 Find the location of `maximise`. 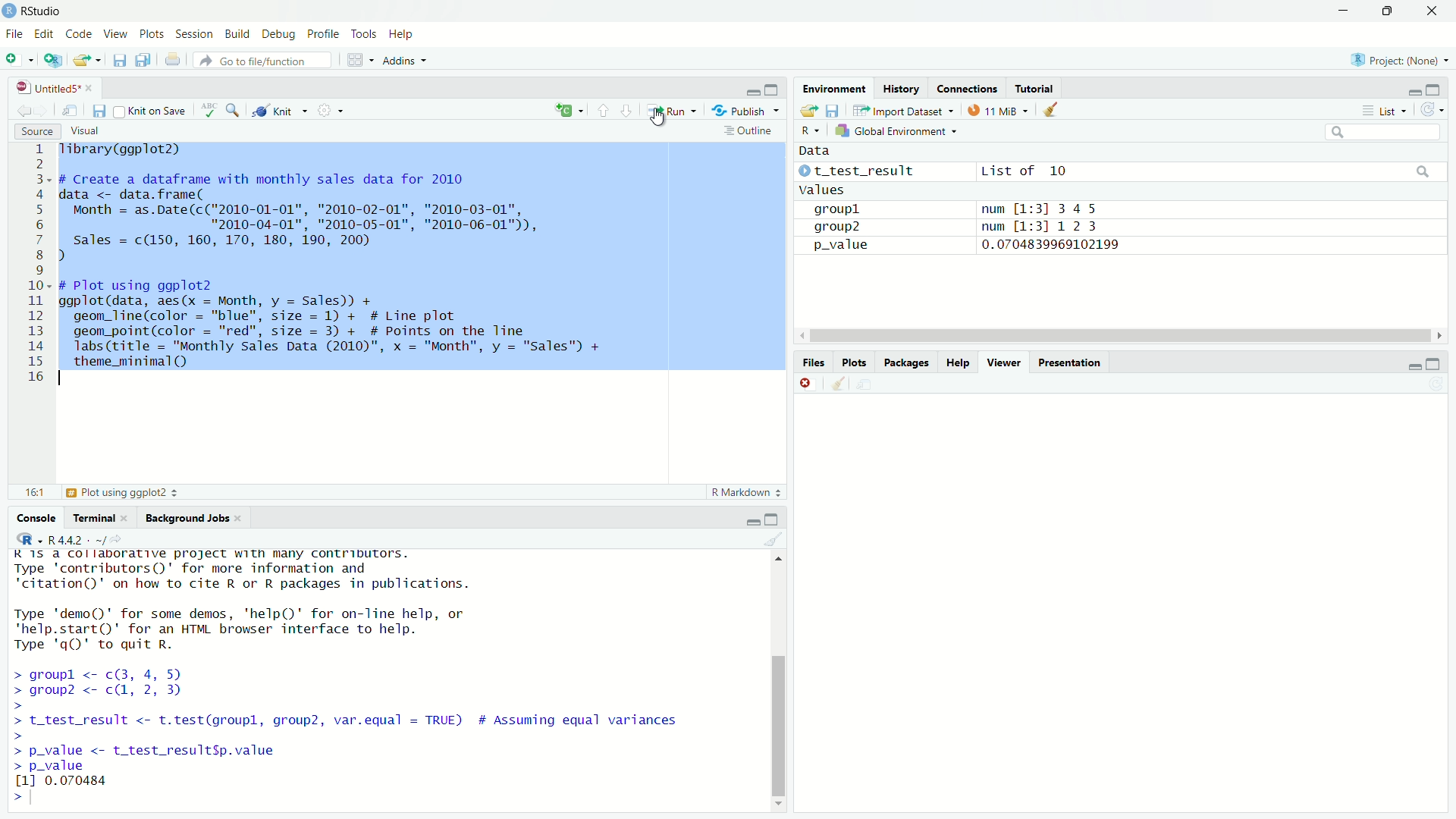

maximise is located at coordinates (1434, 89).